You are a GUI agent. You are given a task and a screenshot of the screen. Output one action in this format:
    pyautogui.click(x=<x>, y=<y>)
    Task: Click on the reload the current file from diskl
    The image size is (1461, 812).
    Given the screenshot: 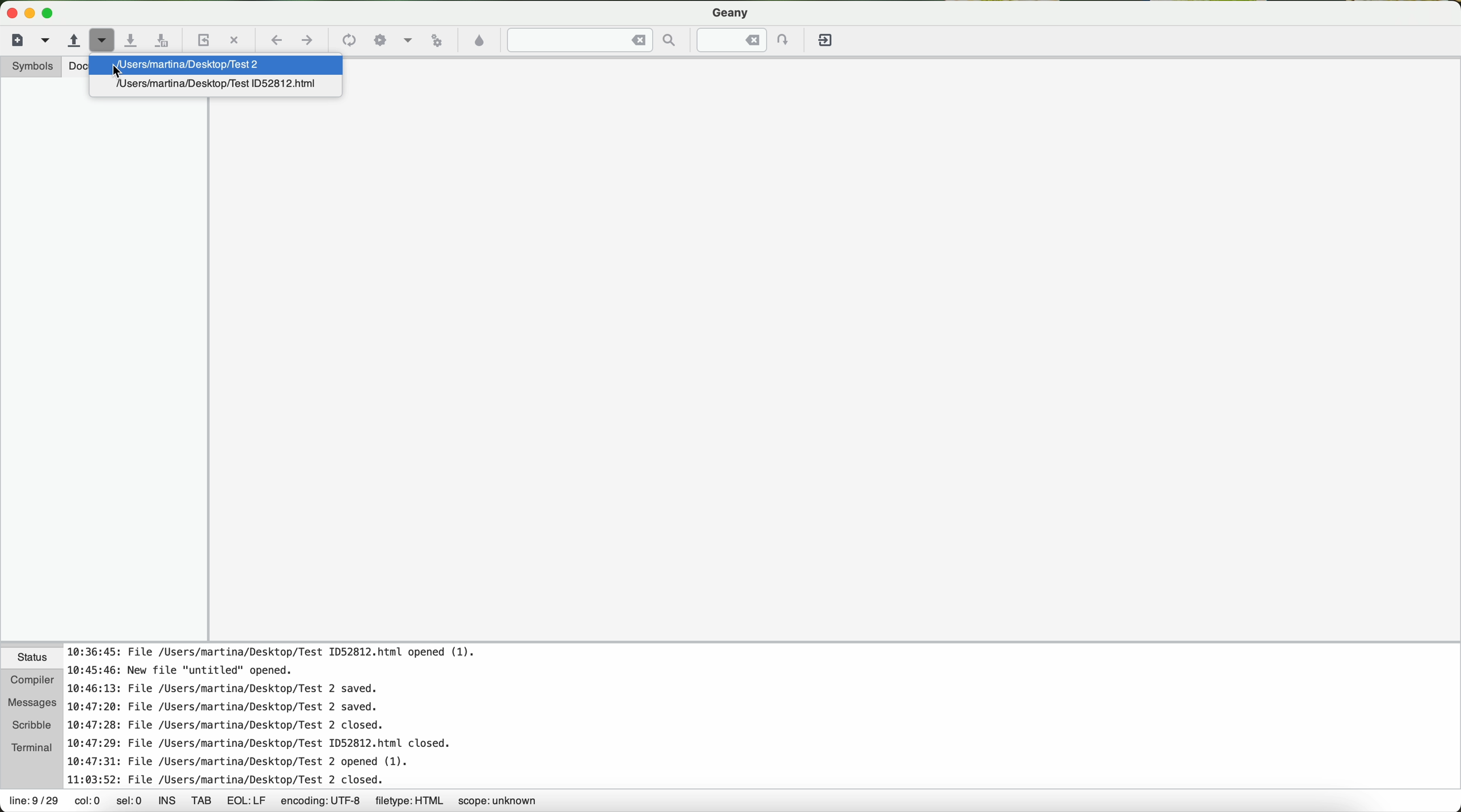 What is the action you would take?
    pyautogui.click(x=202, y=41)
    